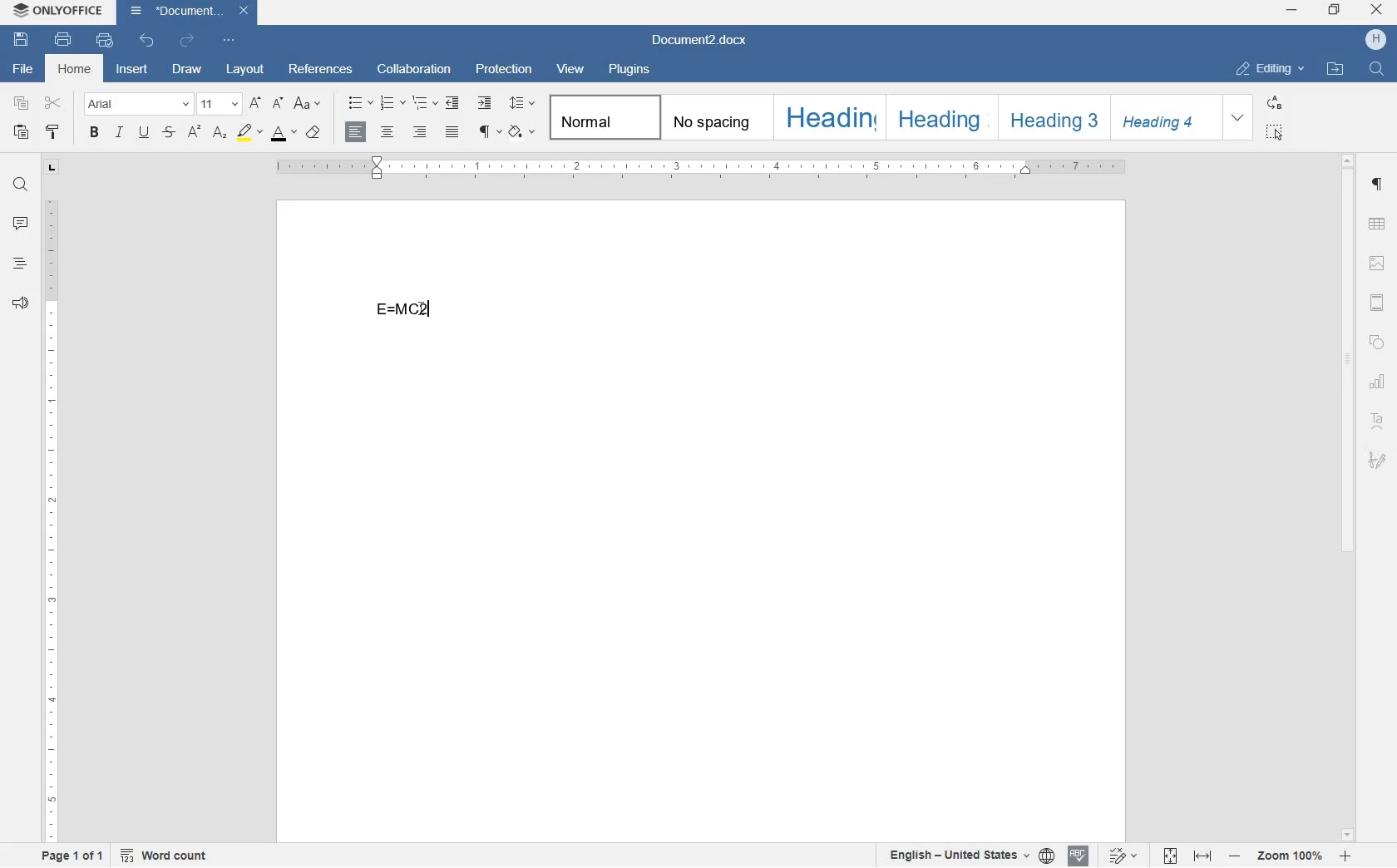 This screenshot has width=1397, height=868. What do you see at coordinates (194, 131) in the screenshot?
I see `superscript` at bounding box center [194, 131].